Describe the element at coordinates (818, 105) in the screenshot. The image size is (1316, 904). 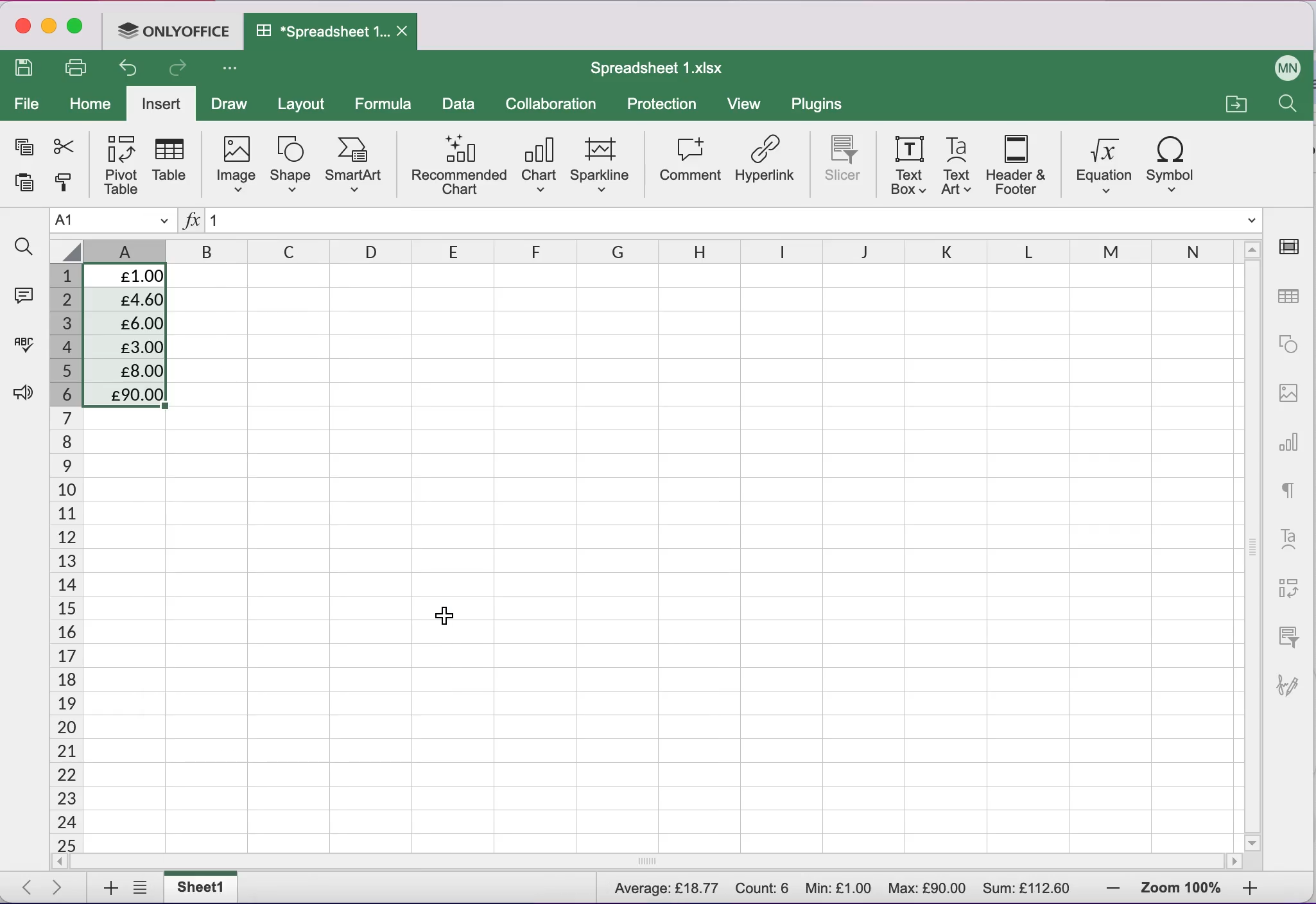
I see `plugins` at that location.